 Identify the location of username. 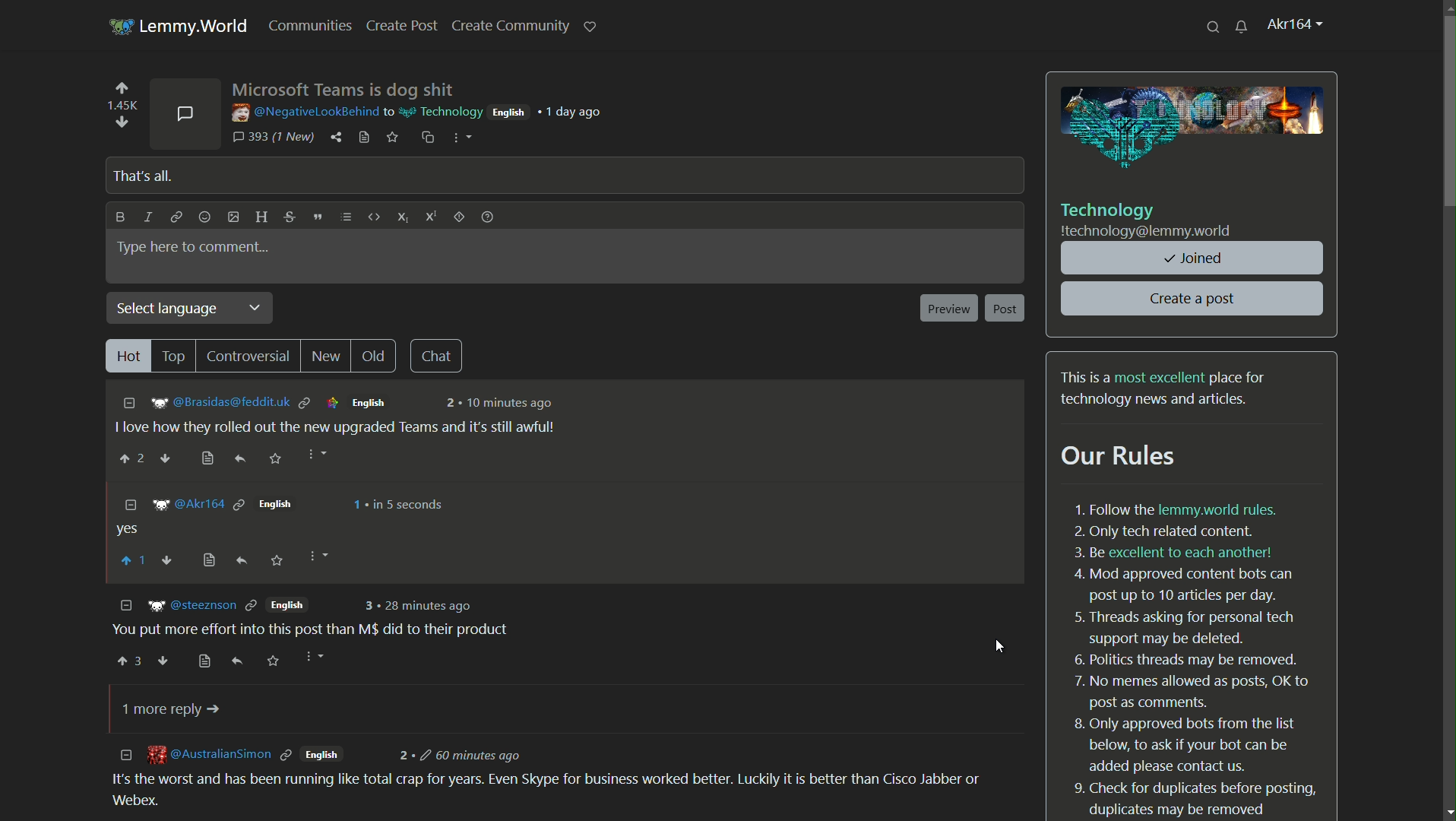
(302, 112).